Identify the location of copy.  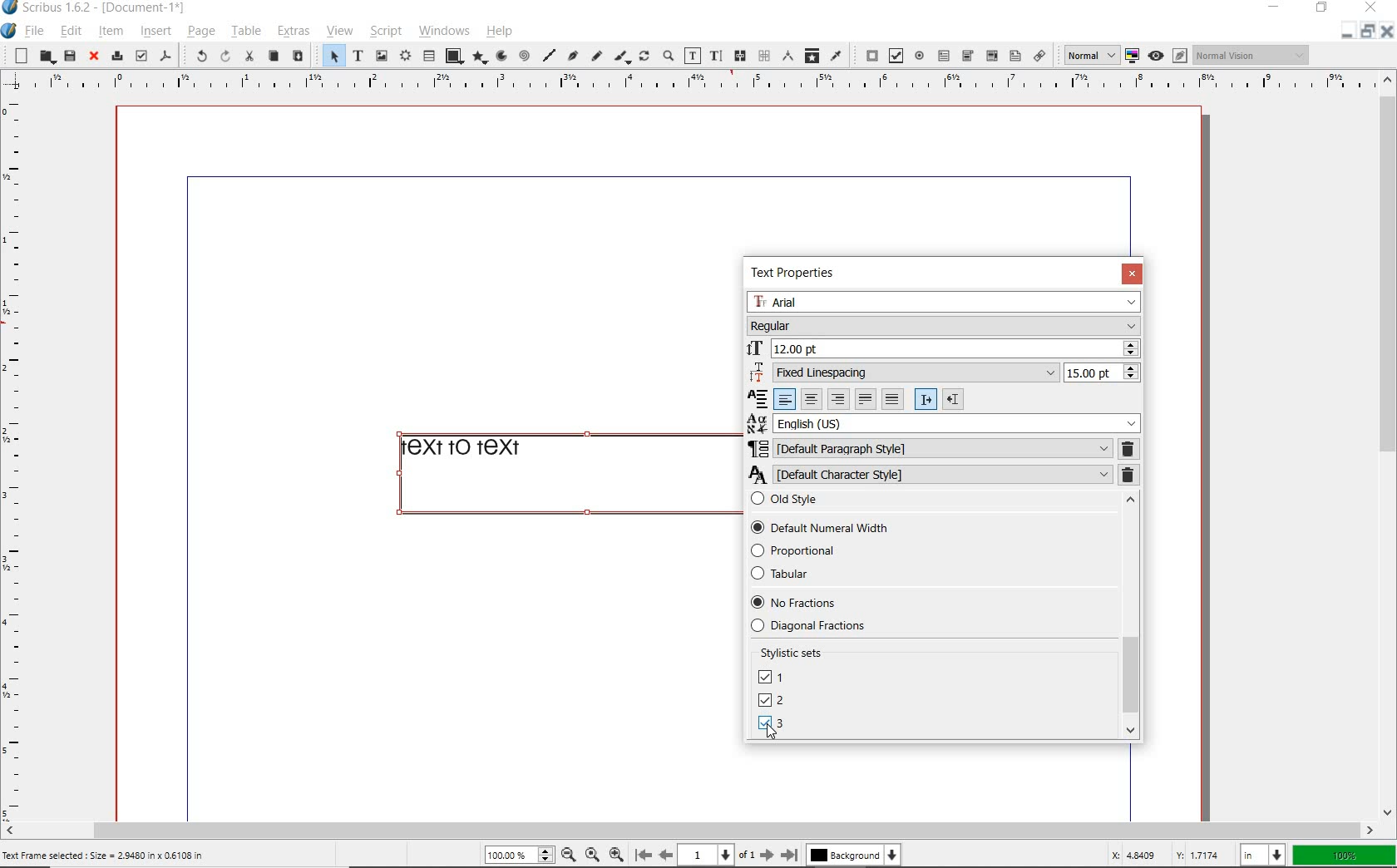
(273, 57).